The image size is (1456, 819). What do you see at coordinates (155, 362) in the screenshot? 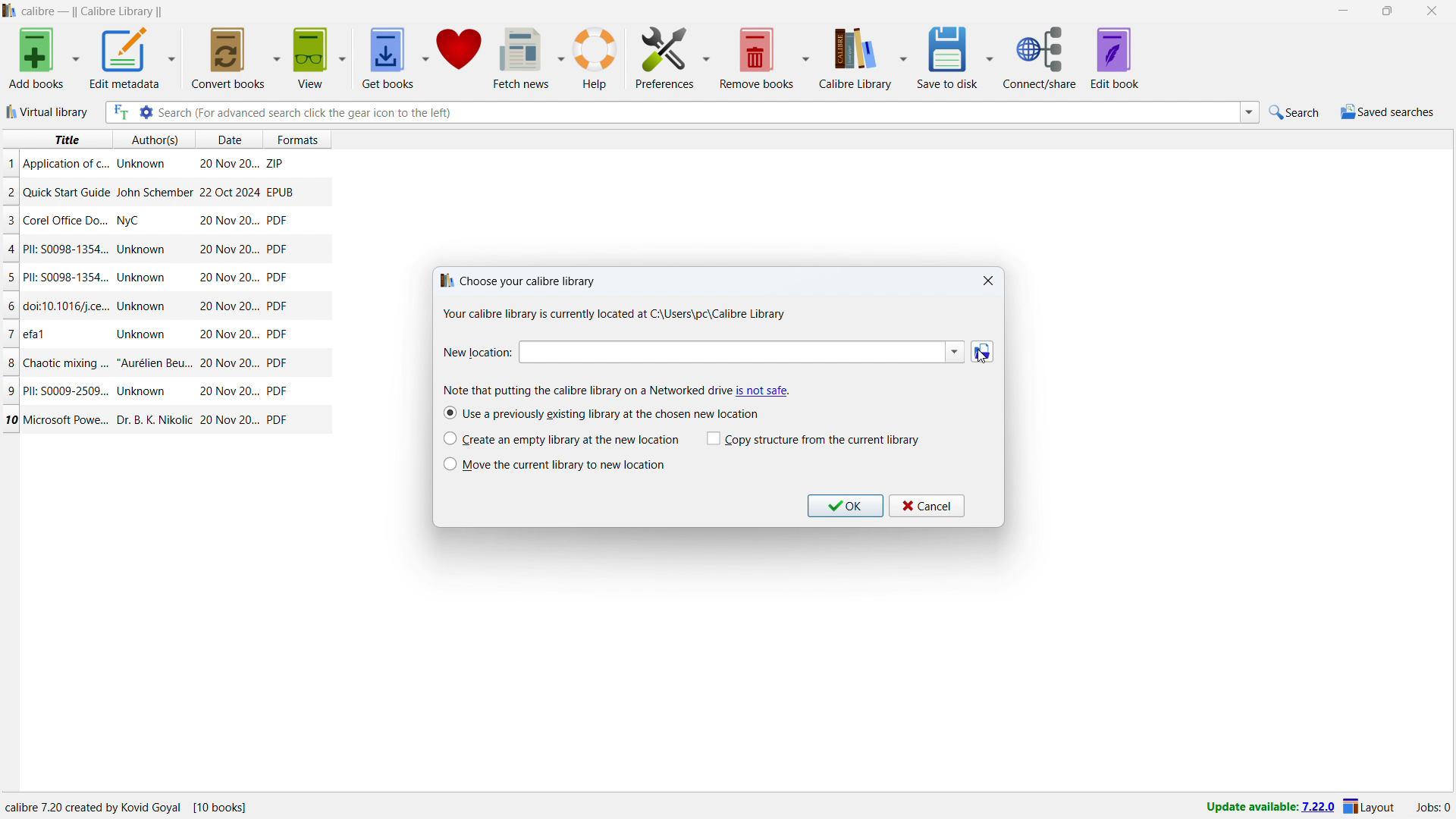
I see `Author` at bounding box center [155, 362].